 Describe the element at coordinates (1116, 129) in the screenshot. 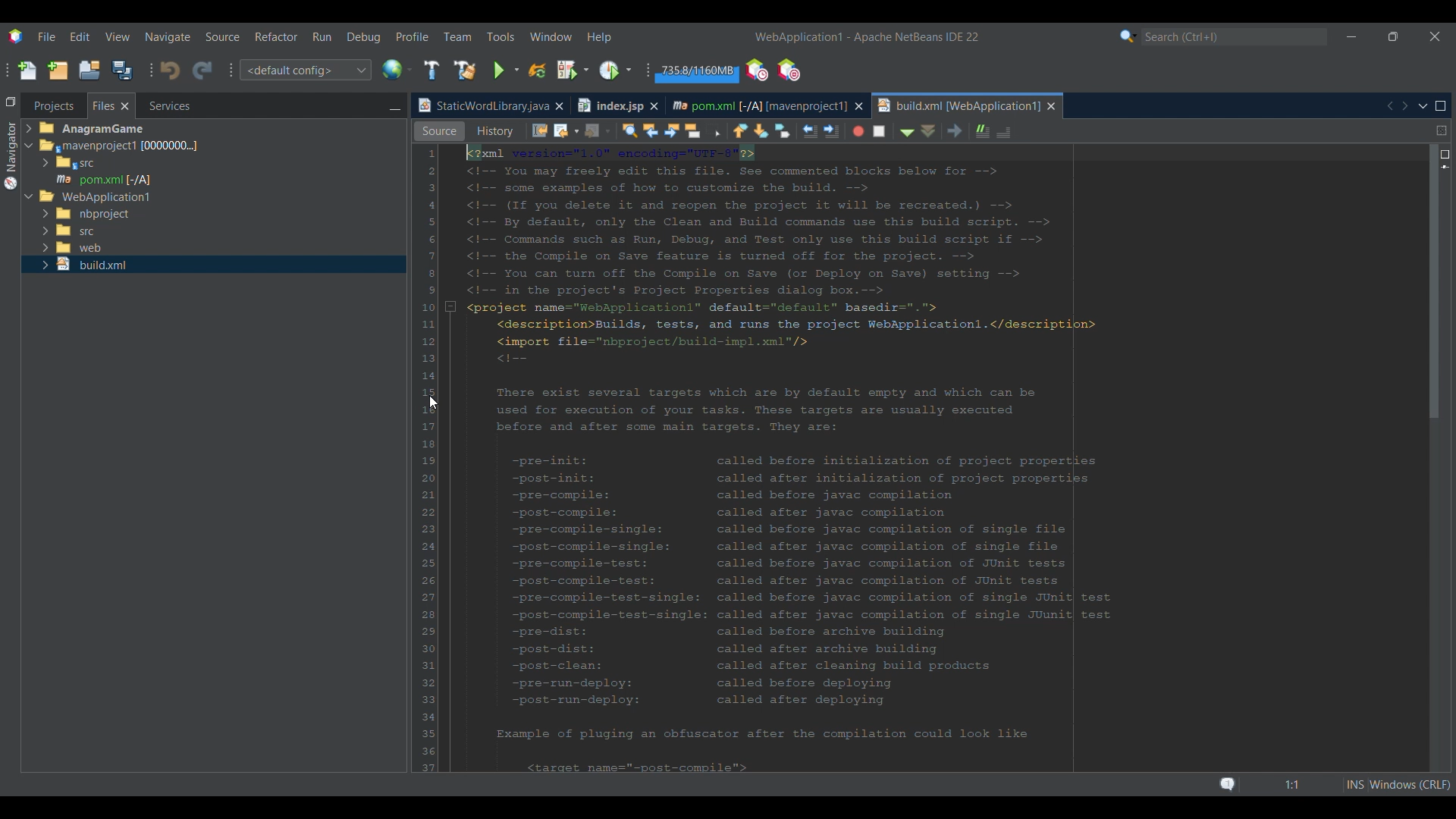

I see `Comment` at that location.